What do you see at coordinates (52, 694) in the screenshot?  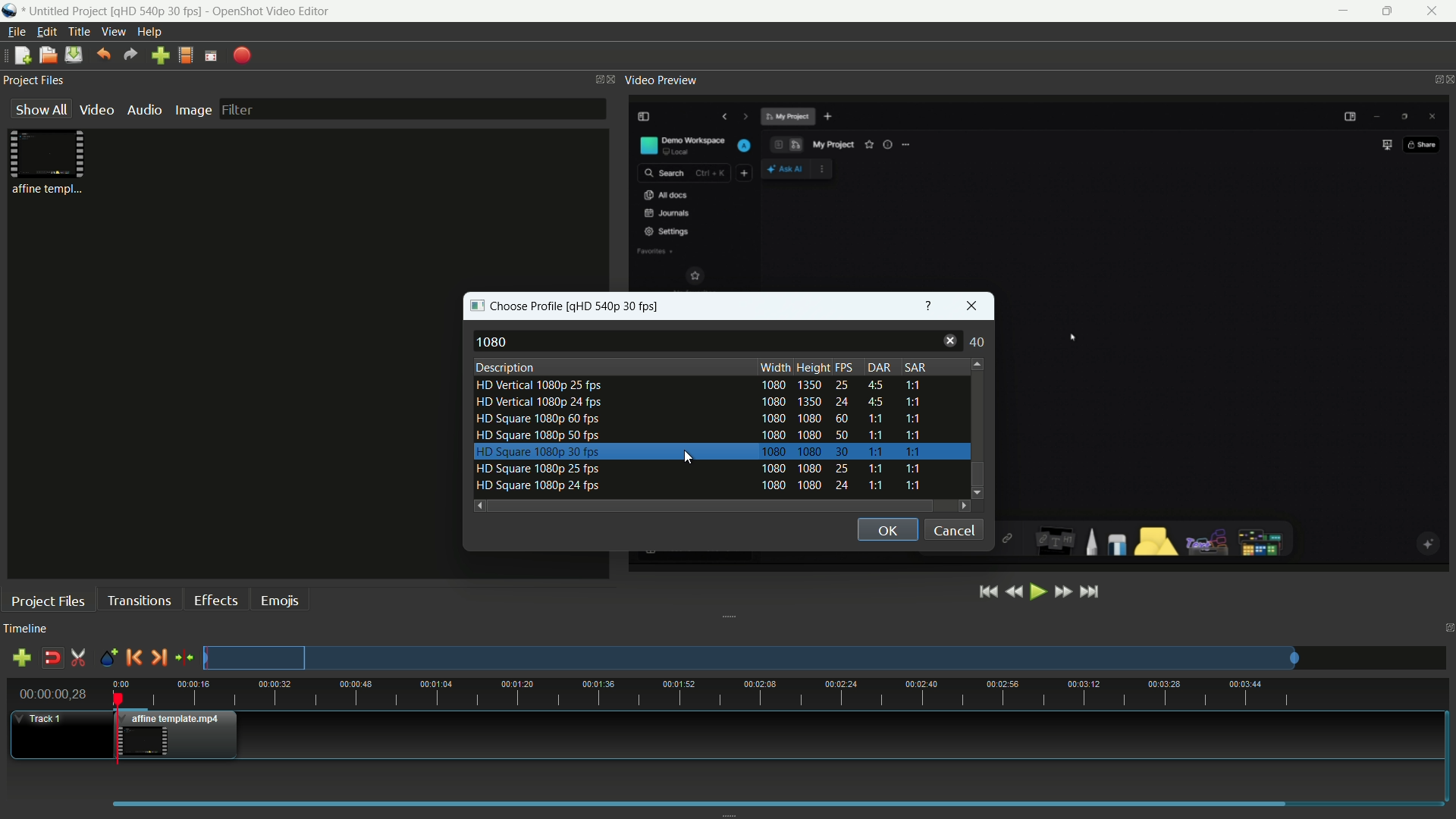 I see `current time` at bounding box center [52, 694].